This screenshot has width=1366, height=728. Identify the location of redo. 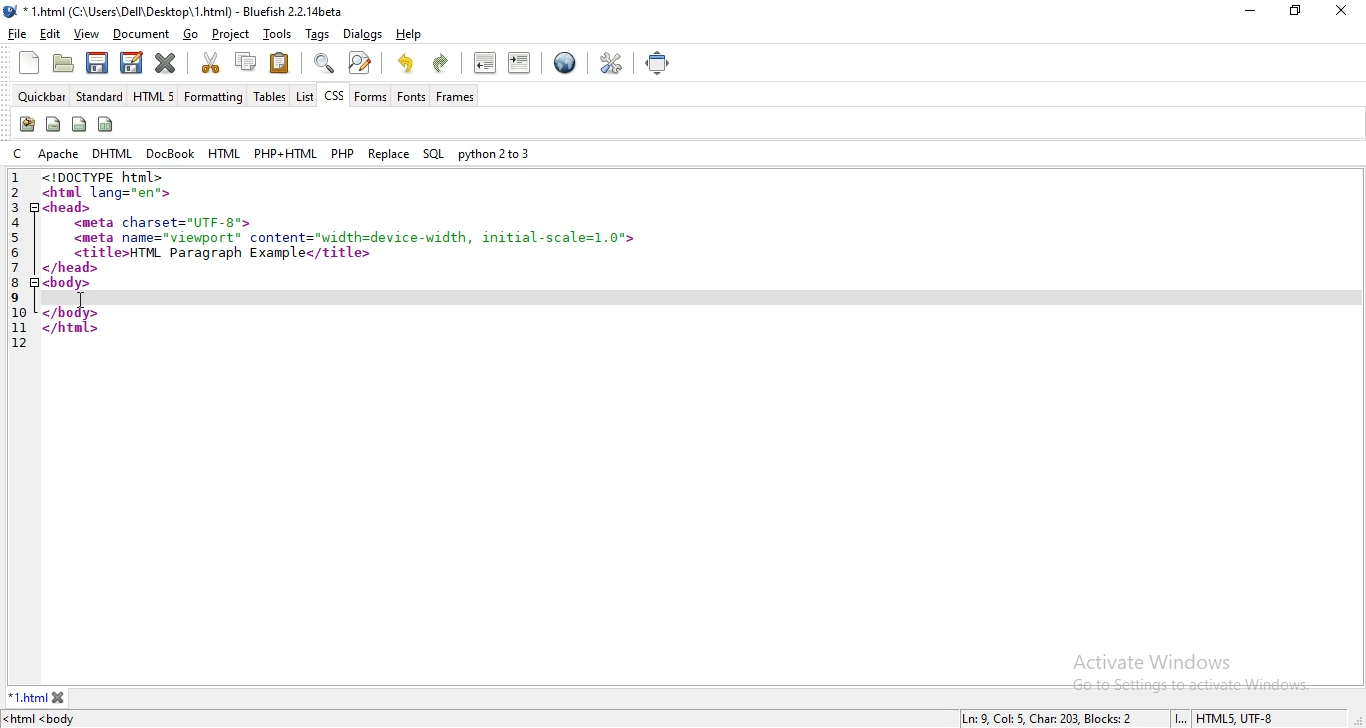
(443, 63).